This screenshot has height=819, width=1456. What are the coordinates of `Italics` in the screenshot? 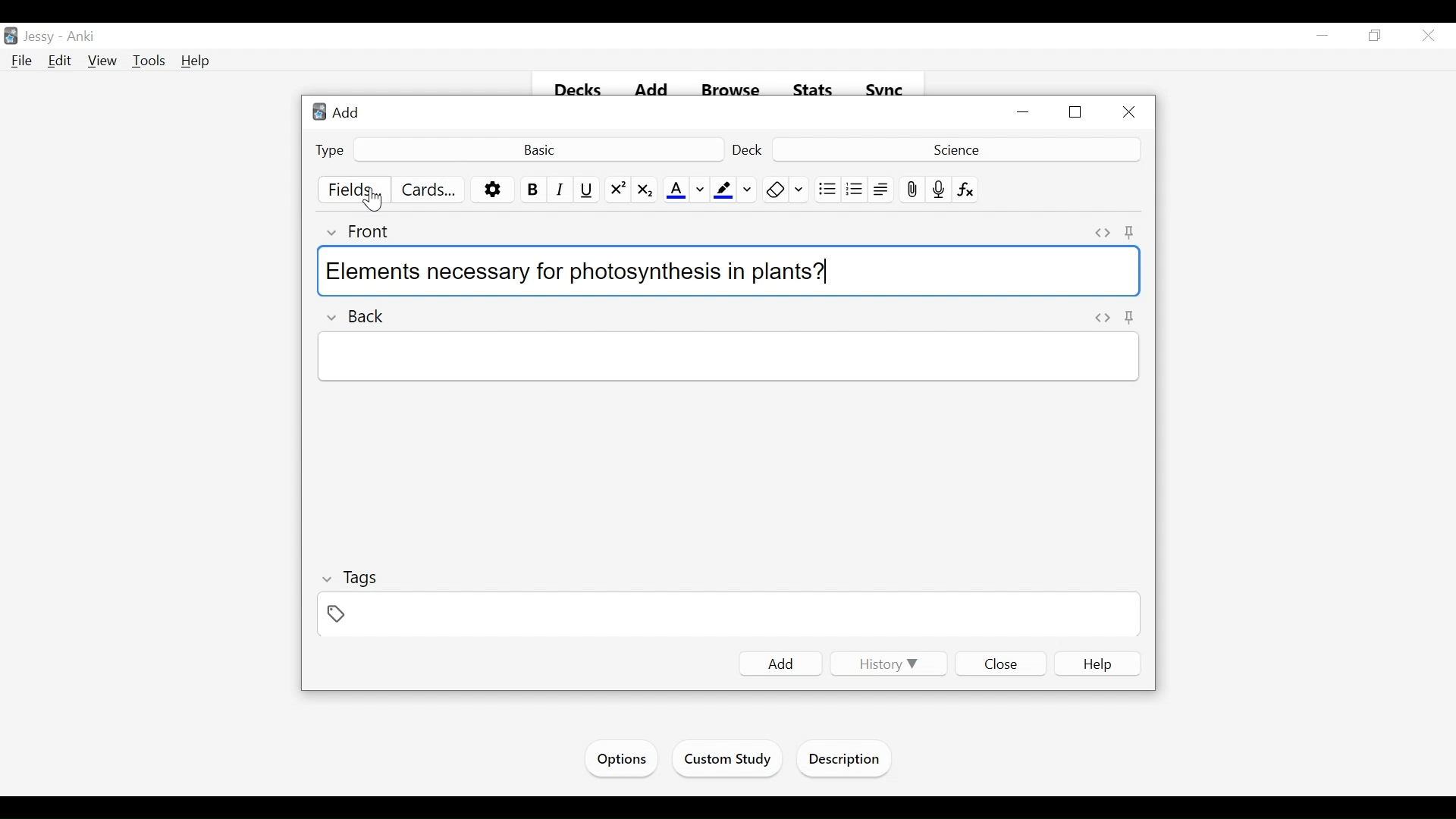 It's located at (560, 190).